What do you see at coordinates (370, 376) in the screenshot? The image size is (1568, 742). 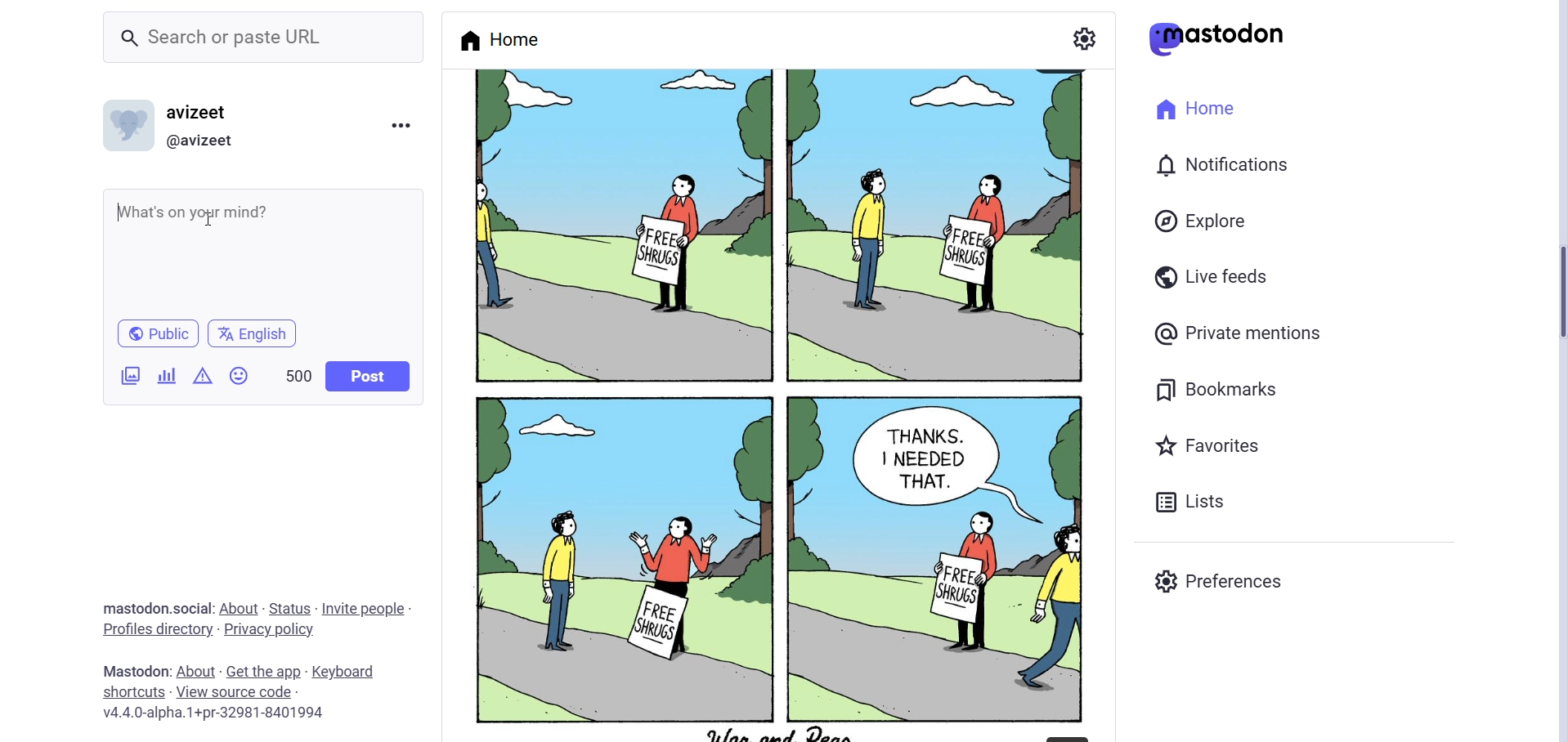 I see `Post` at bounding box center [370, 376].